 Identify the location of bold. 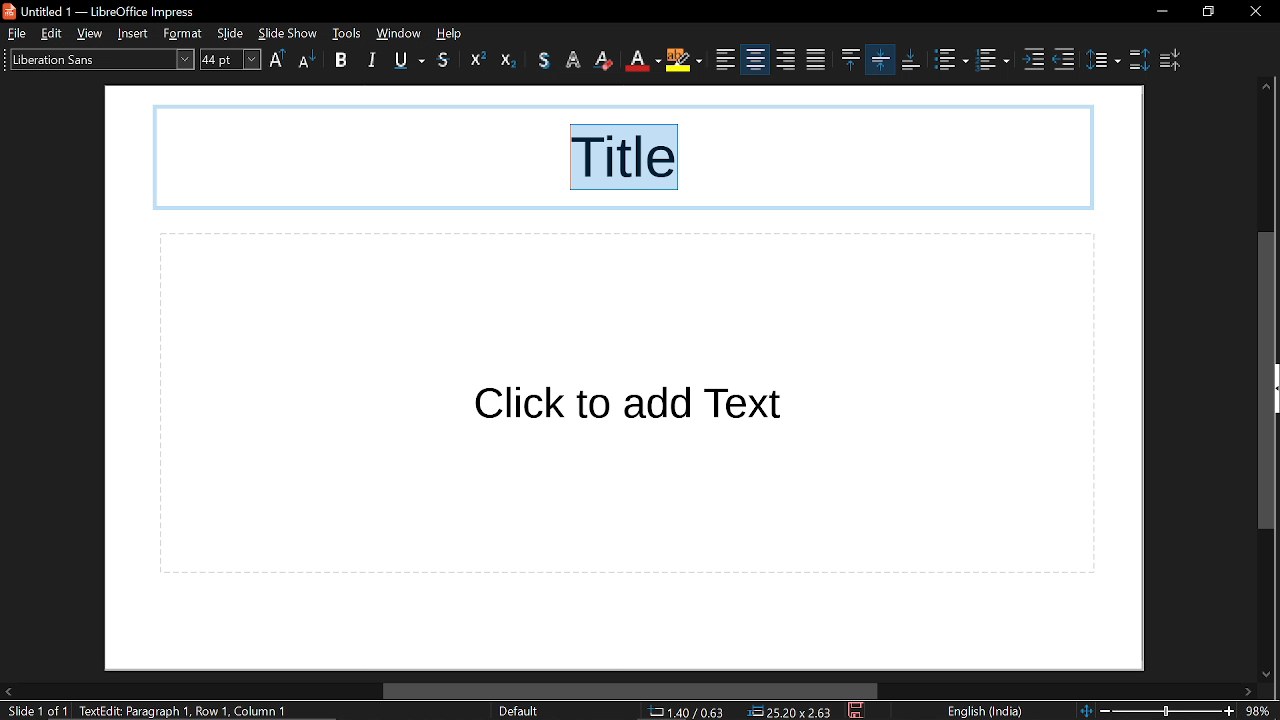
(341, 62).